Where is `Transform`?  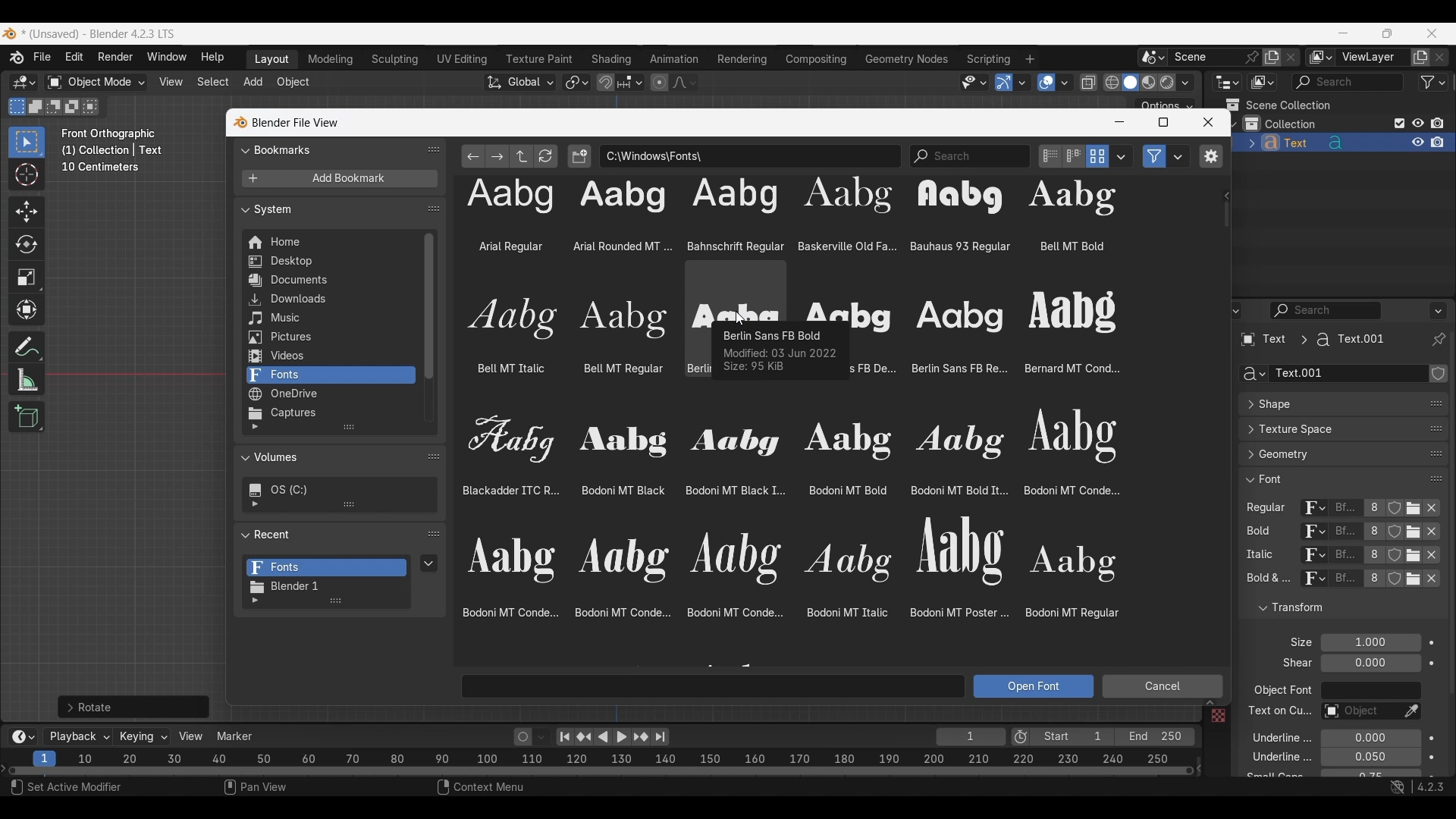 Transform is located at coordinates (26, 311).